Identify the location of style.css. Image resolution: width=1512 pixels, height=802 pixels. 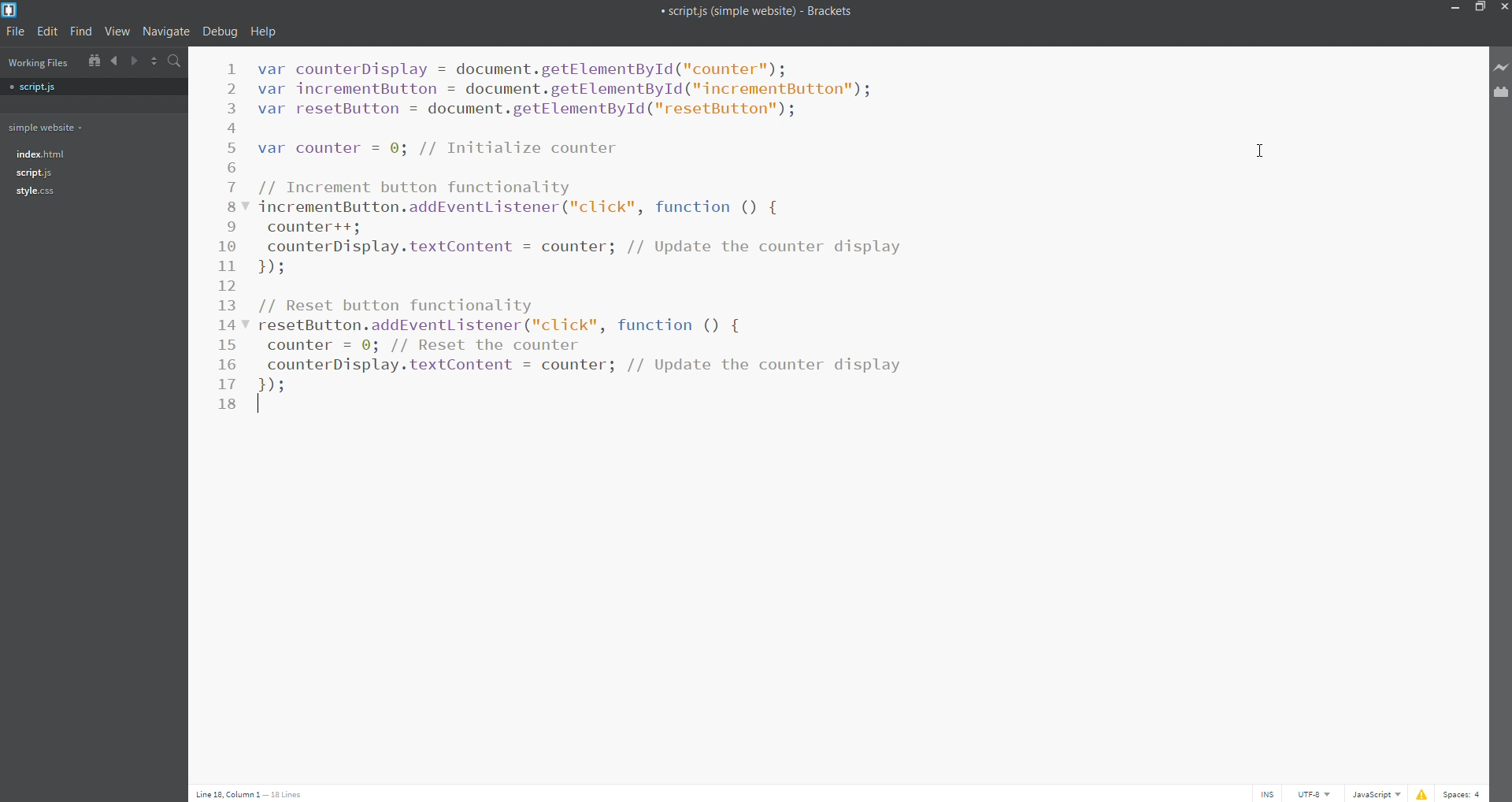
(35, 195).